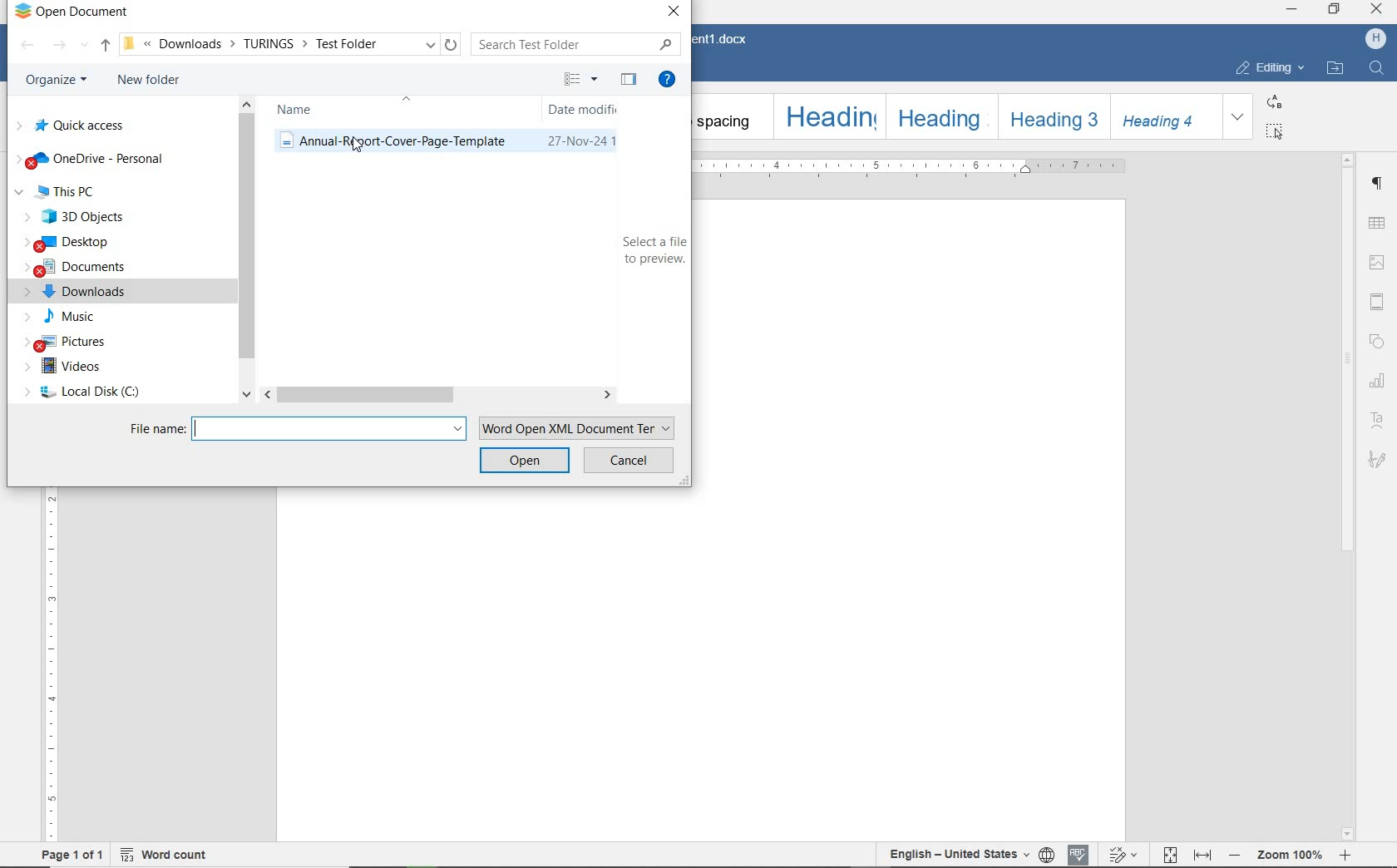 The height and width of the screenshot is (868, 1397). What do you see at coordinates (665, 76) in the screenshot?
I see `GET HELP` at bounding box center [665, 76].